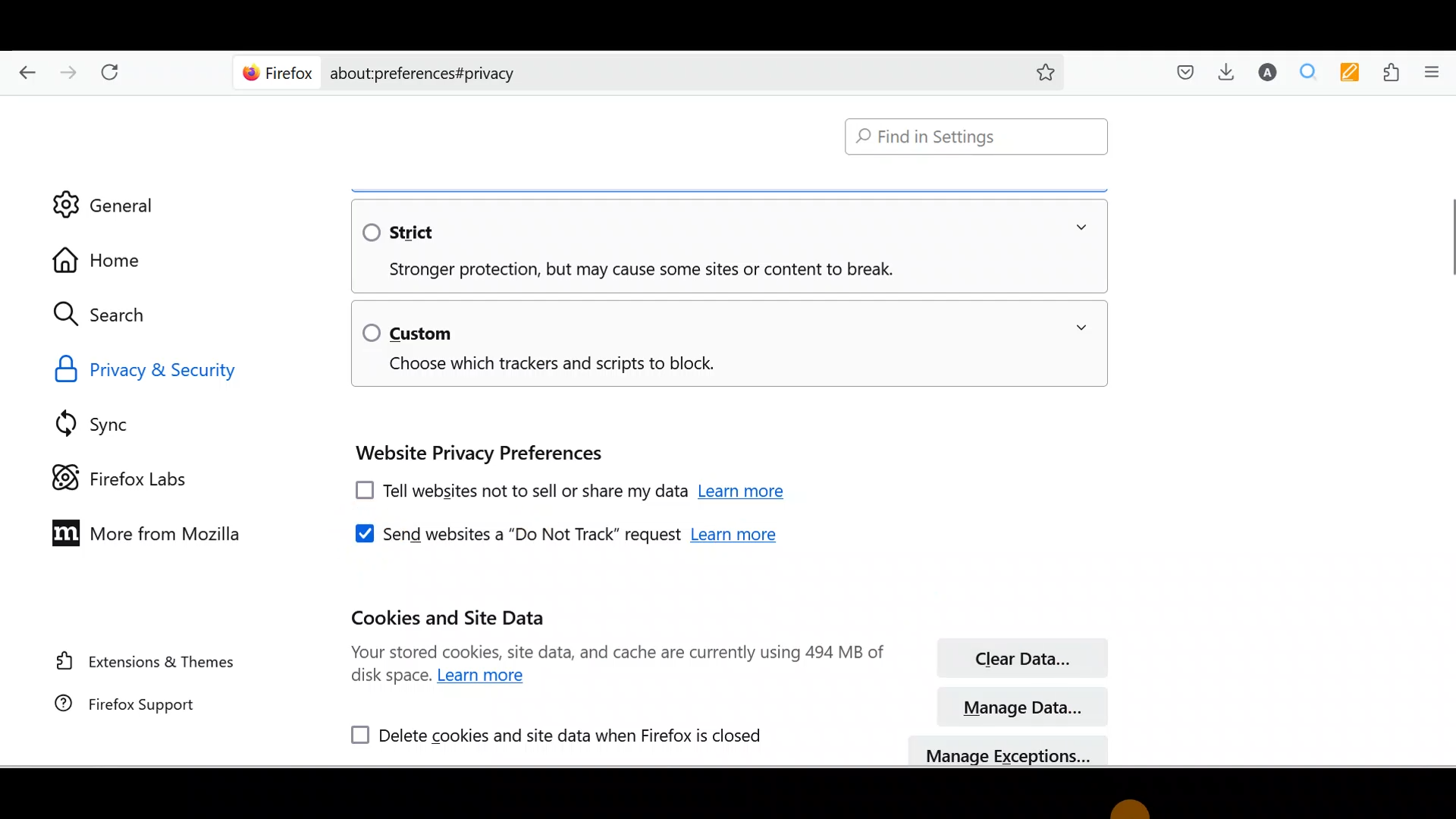 This screenshot has height=819, width=1456. What do you see at coordinates (745, 494) in the screenshot?
I see `Learn more` at bounding box center [745, 494].